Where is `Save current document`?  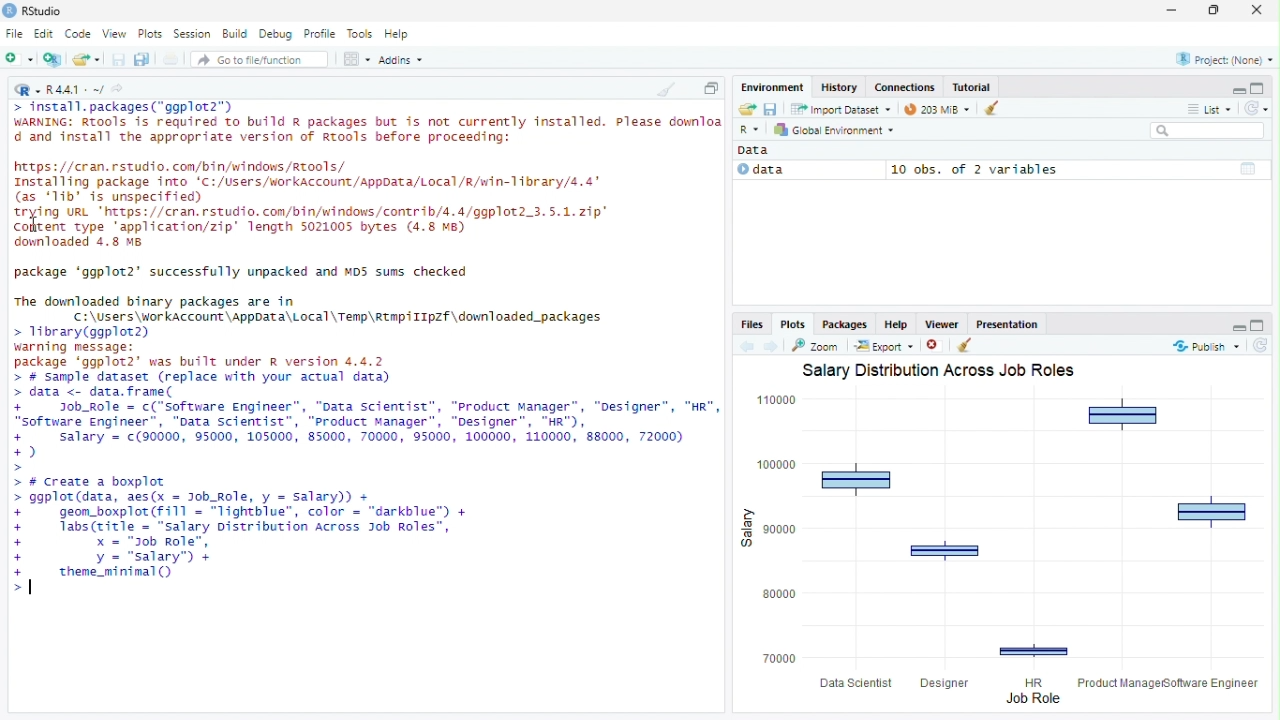 Save current document is located at coordinates (120, 59).